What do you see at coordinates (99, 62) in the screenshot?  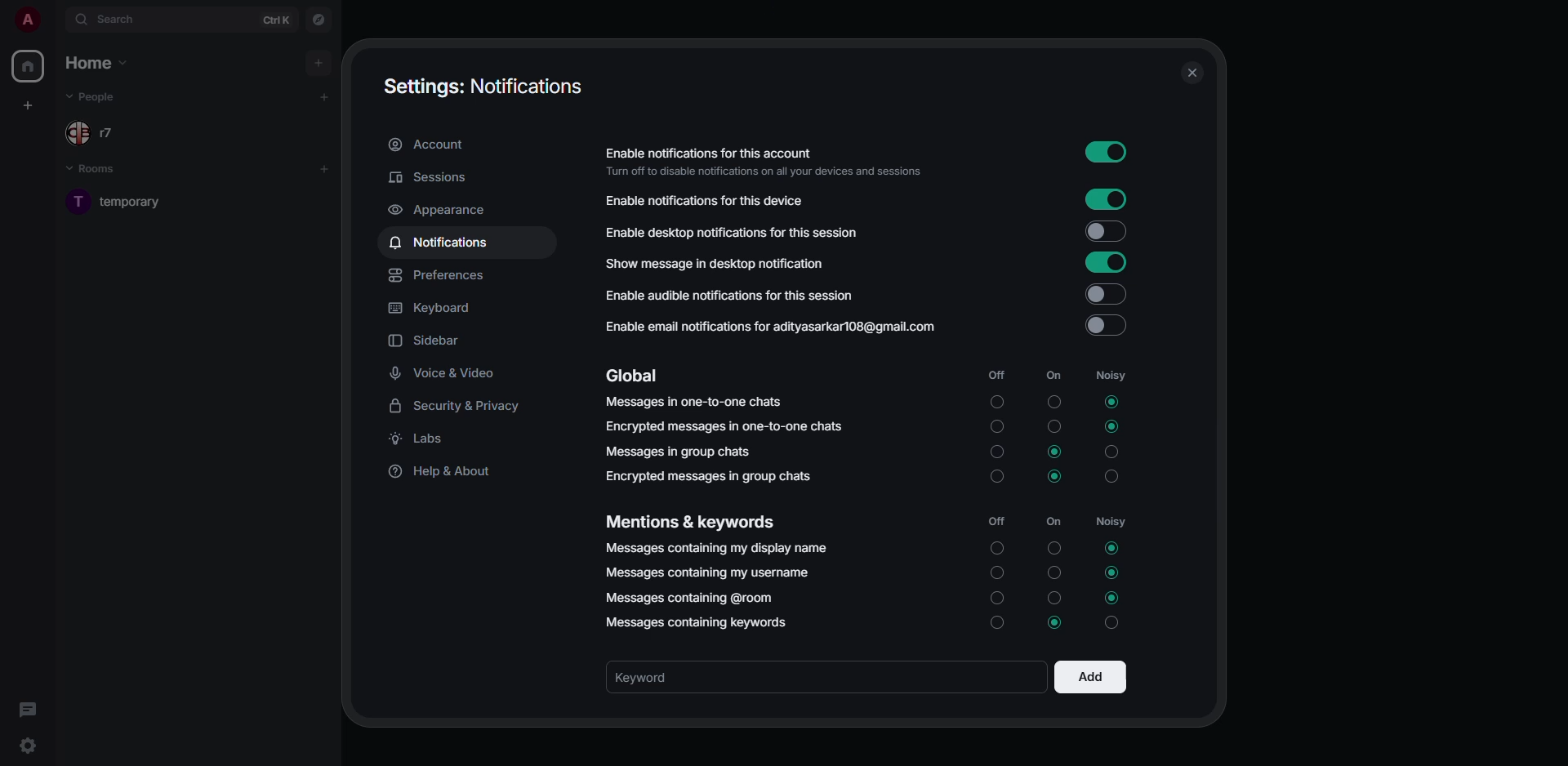 I see `home` at bounding box center [99, 62].